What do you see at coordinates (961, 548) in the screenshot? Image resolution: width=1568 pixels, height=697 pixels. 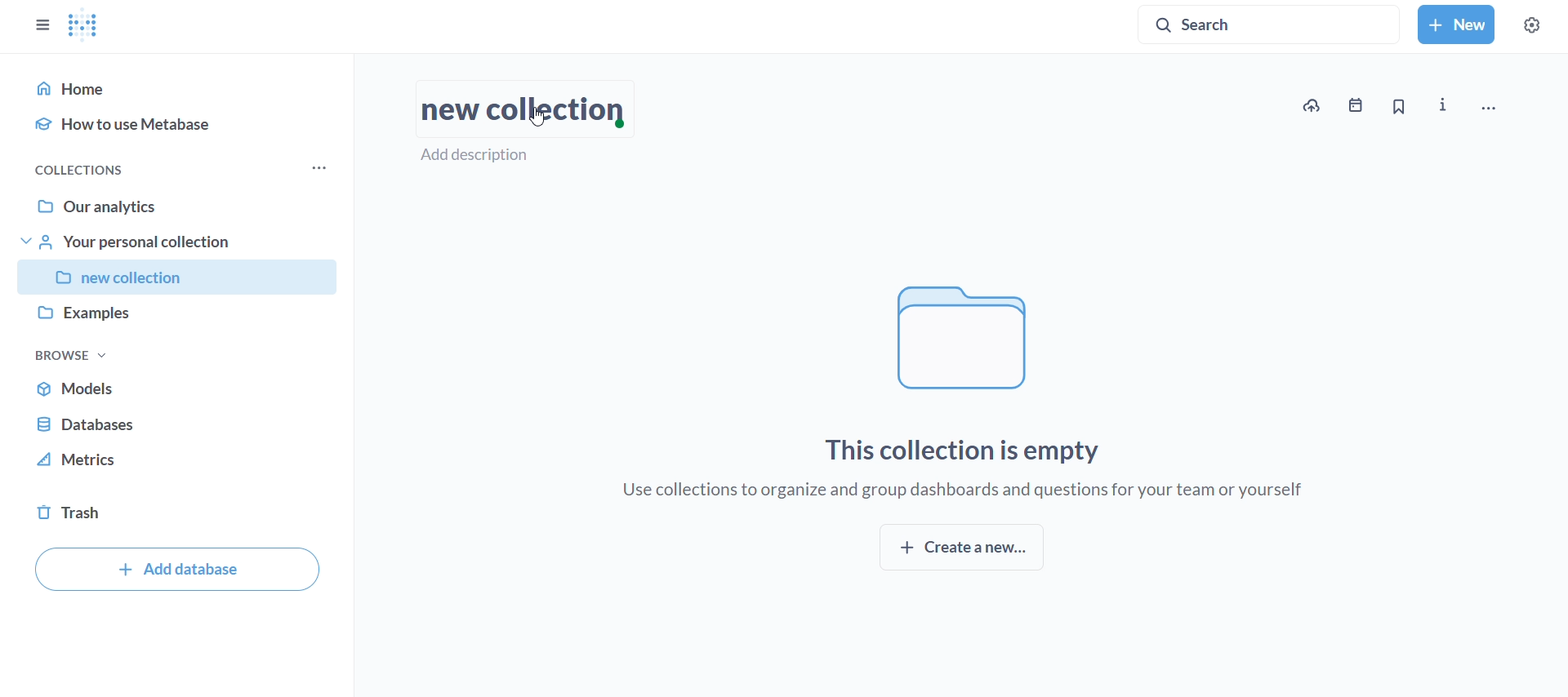 I see `create new collection` at bounding box center [961, 548].